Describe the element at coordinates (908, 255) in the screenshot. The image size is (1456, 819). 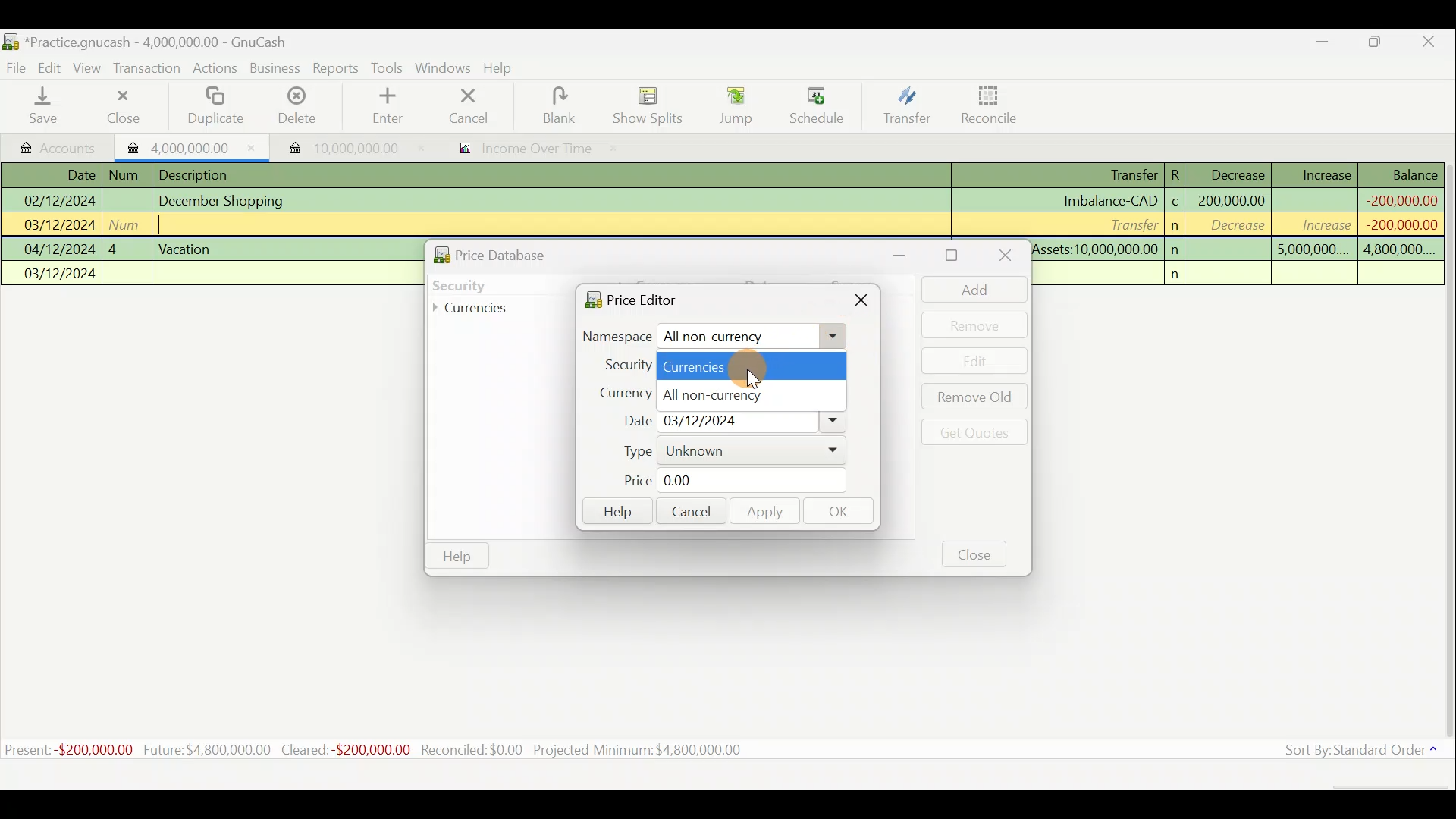
I see `Minimise` at that location.